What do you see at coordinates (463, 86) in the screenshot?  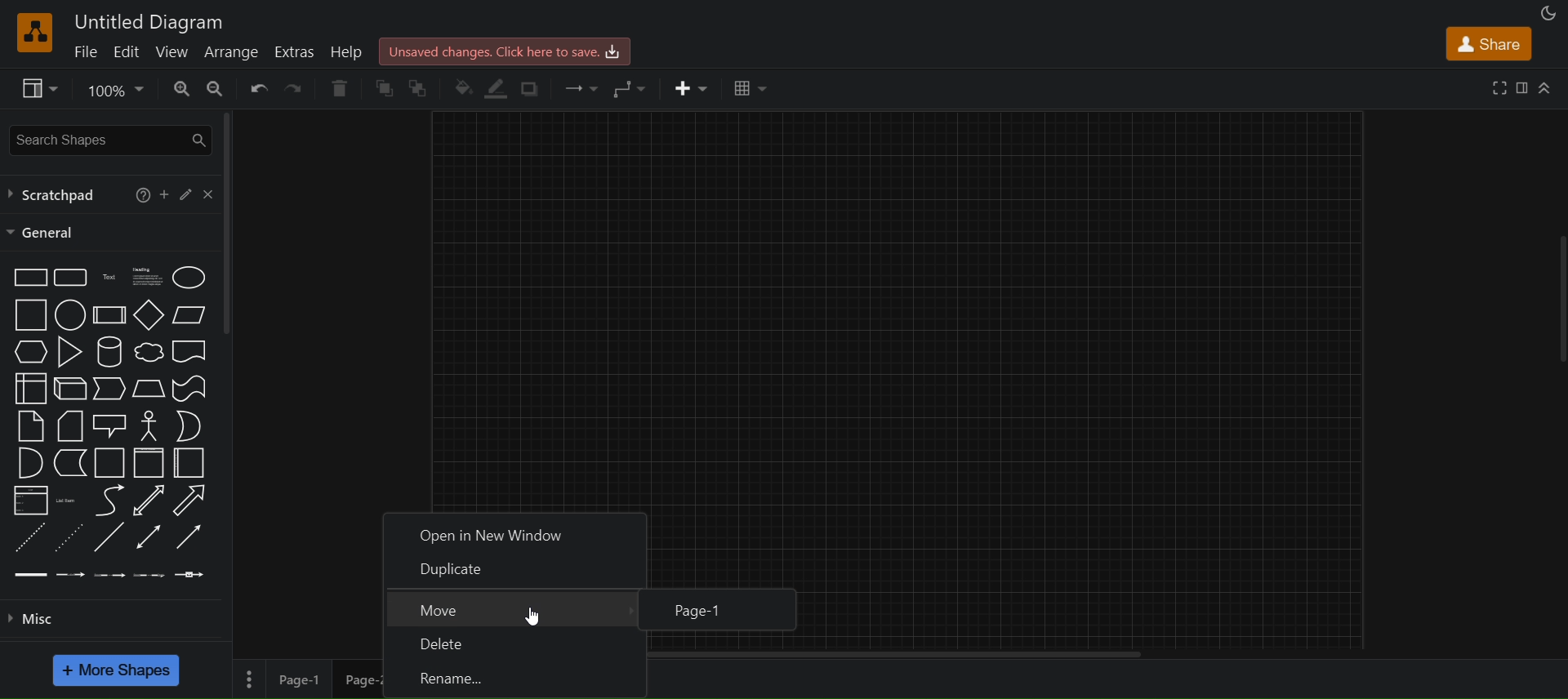 I see `fill color` at bounding box center [463, 86].